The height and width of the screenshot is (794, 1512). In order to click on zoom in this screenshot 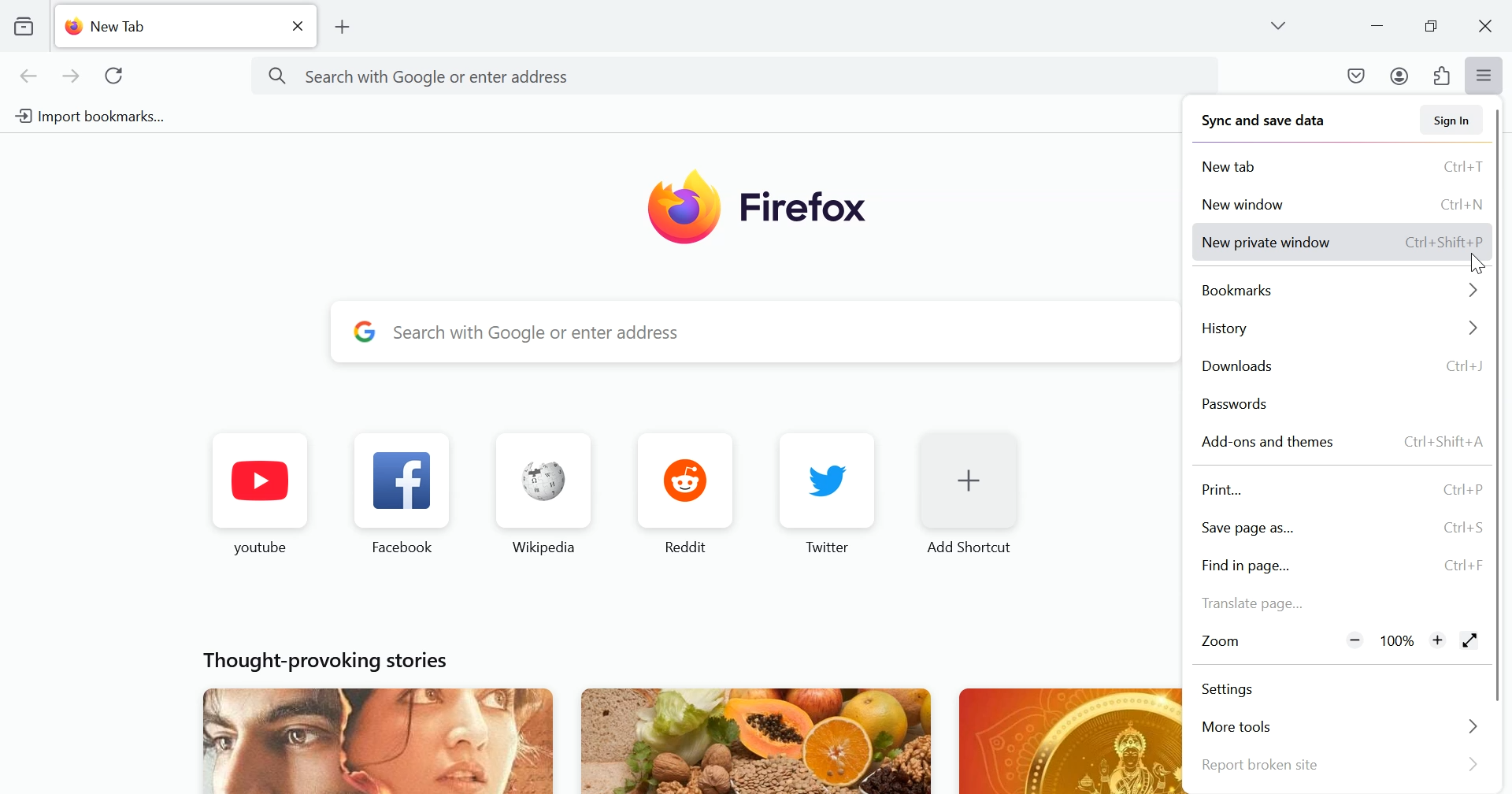, I will do `click(1231, 643)`.